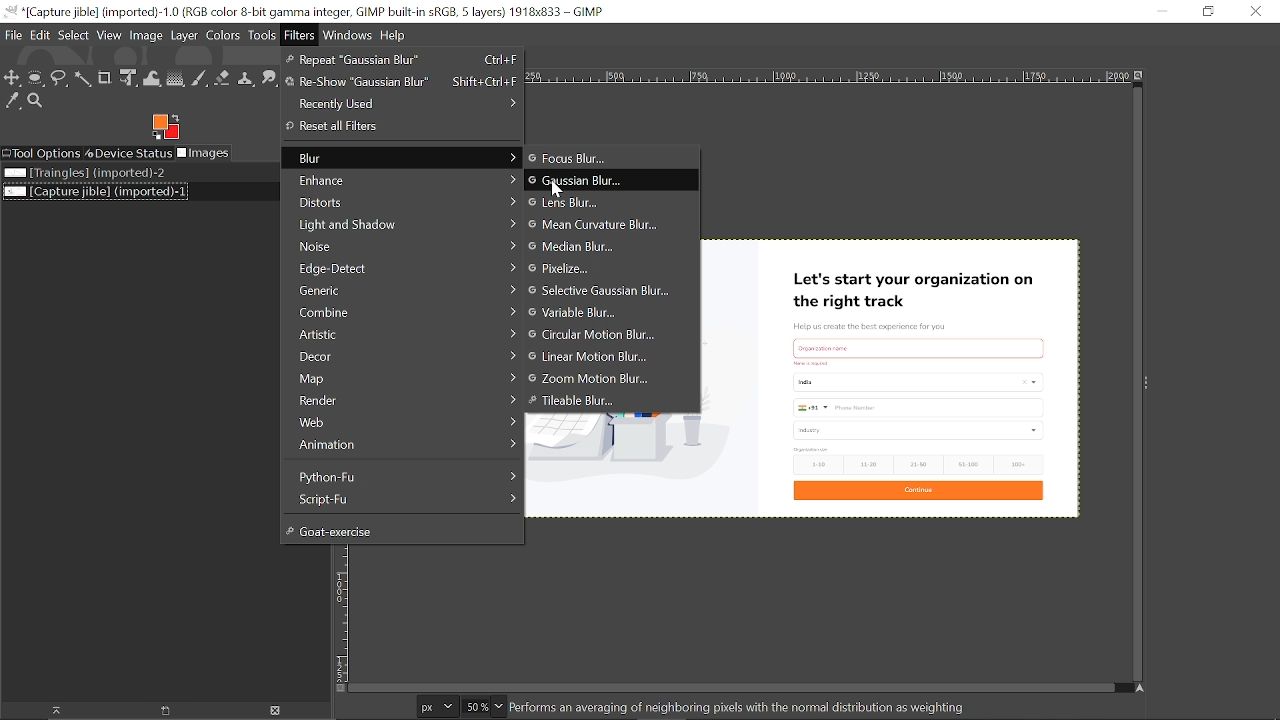  Describe the element at coordinates (402, 334) in the screenshot. I see `Artistic` at that location.